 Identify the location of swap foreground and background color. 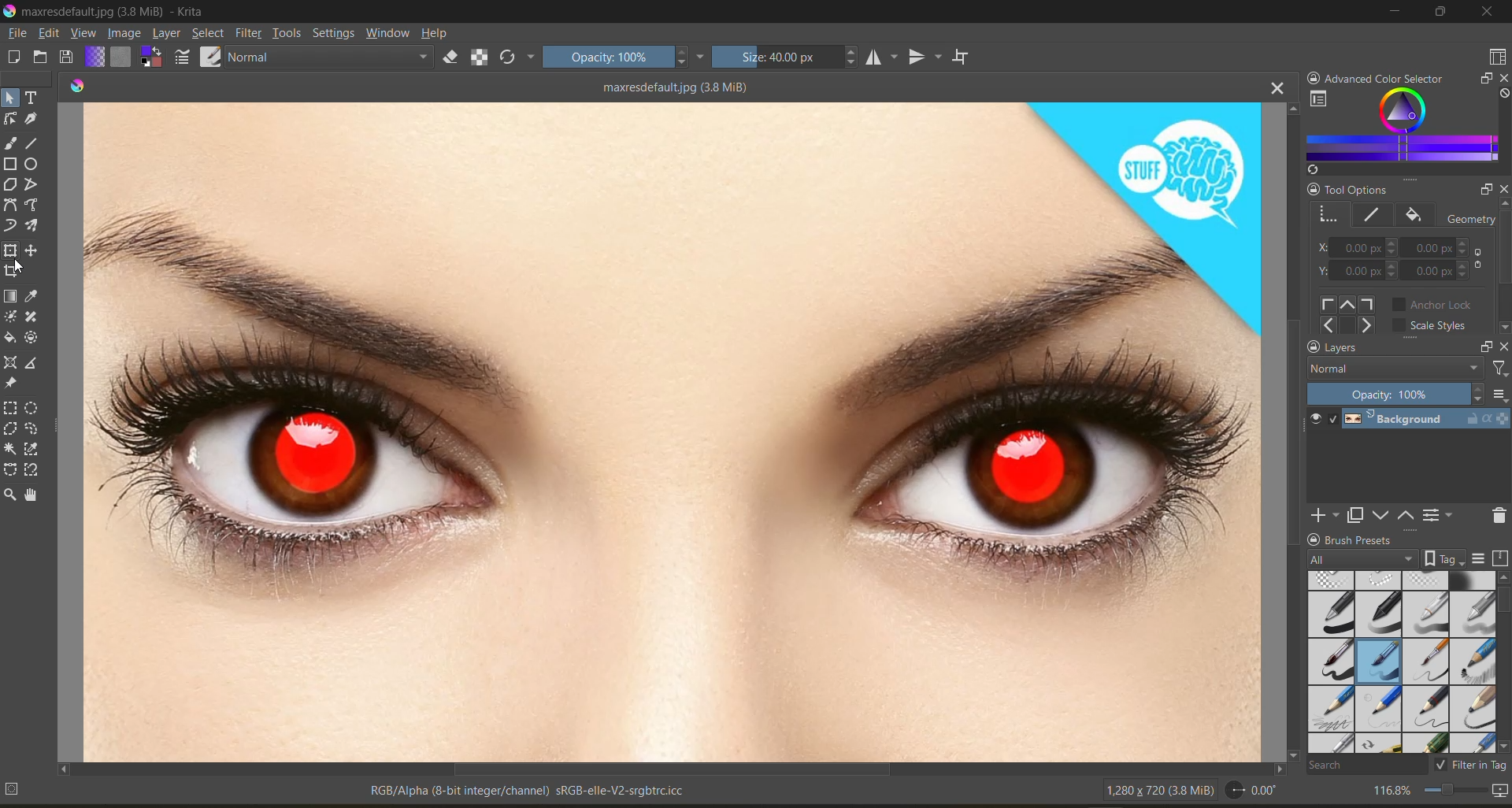
(153, 57).